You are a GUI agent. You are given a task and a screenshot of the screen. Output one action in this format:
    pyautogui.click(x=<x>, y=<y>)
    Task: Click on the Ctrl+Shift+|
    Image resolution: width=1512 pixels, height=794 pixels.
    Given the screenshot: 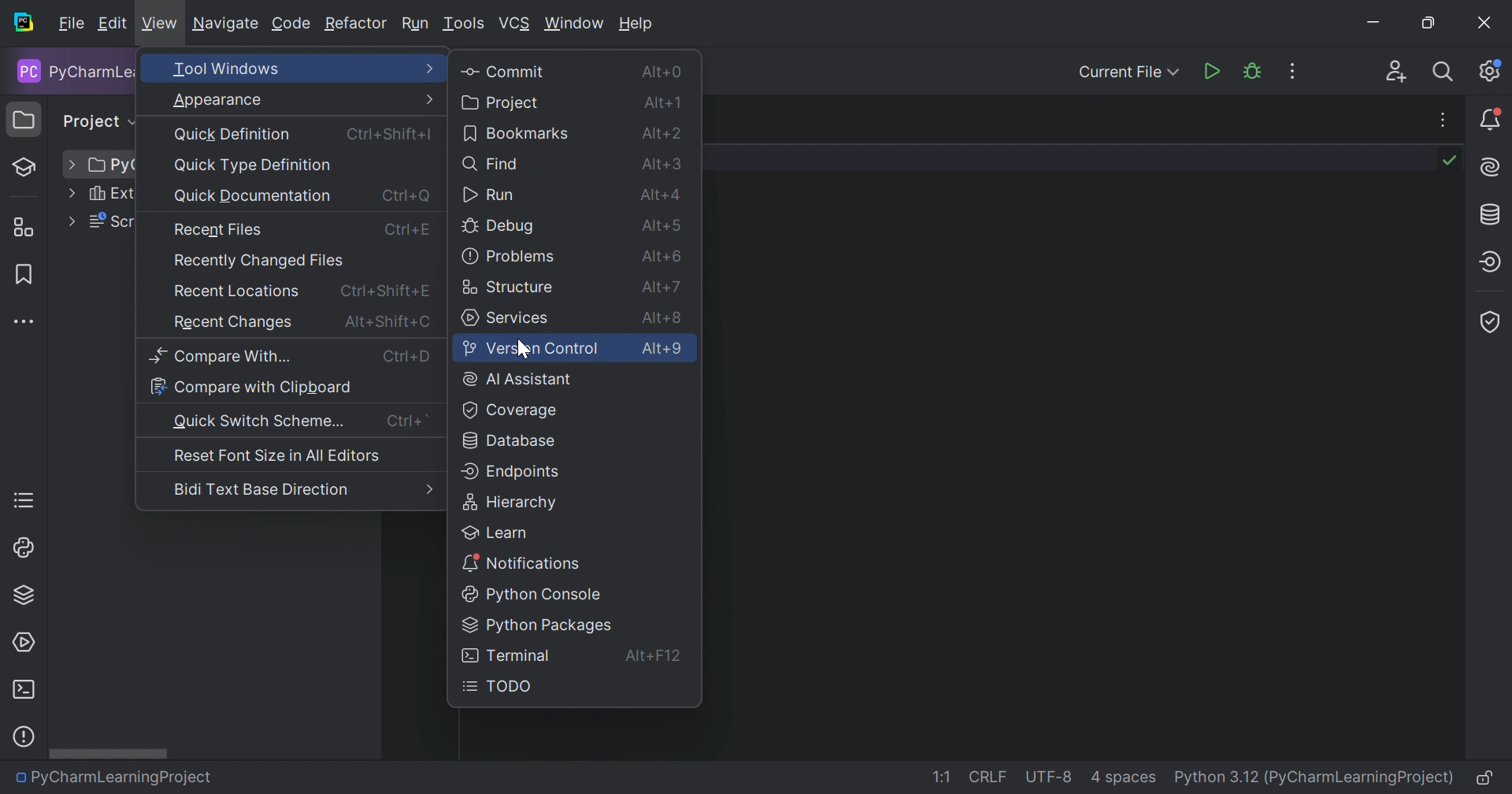 What is the action you would take?
    pyautogui.click(x=392, y=132)
    